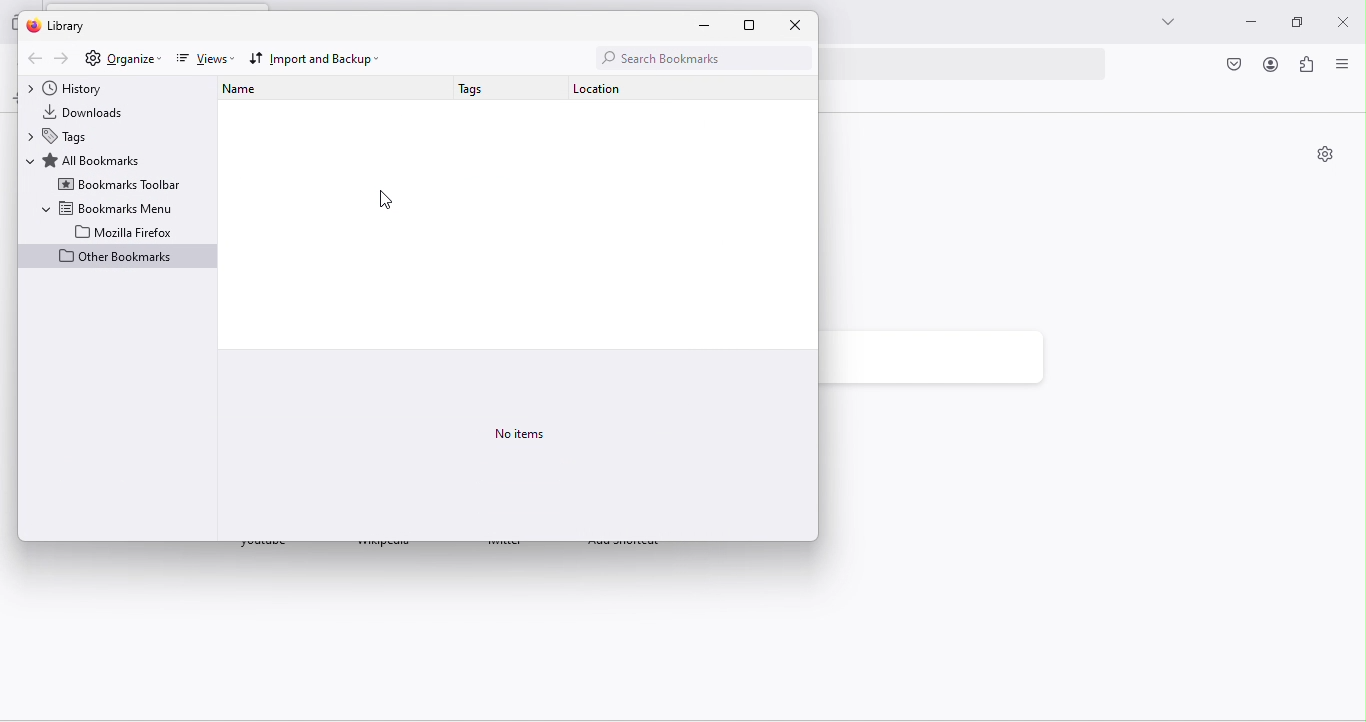 The height and width of the screenshot is (722, 1366). What do you see at coordinates (699, 57) in the screenshot?
I see `search bookmarks` at bounding box center [699, 57].